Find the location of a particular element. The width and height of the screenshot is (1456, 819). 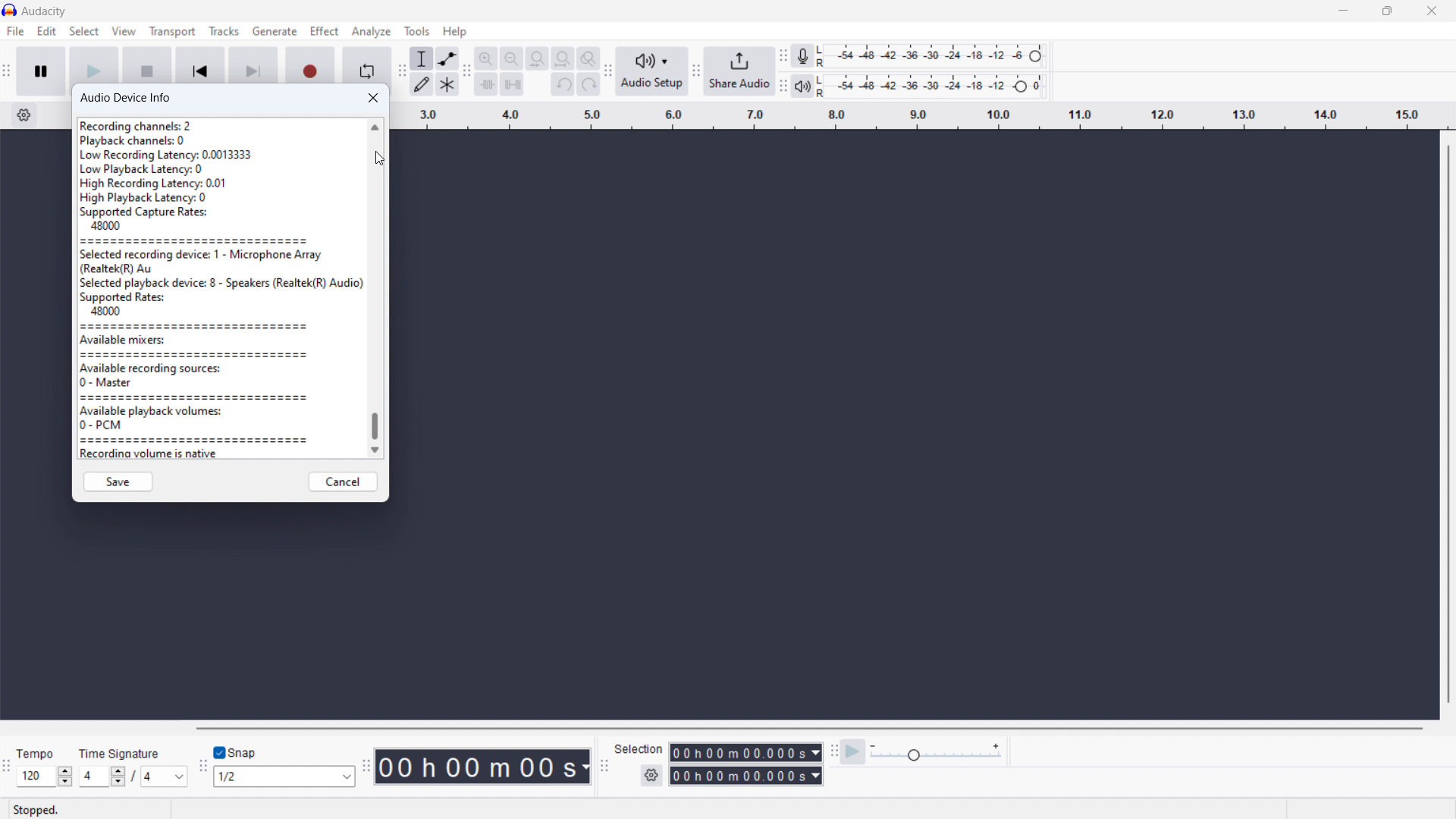

close is located at coordinates (373, 99).